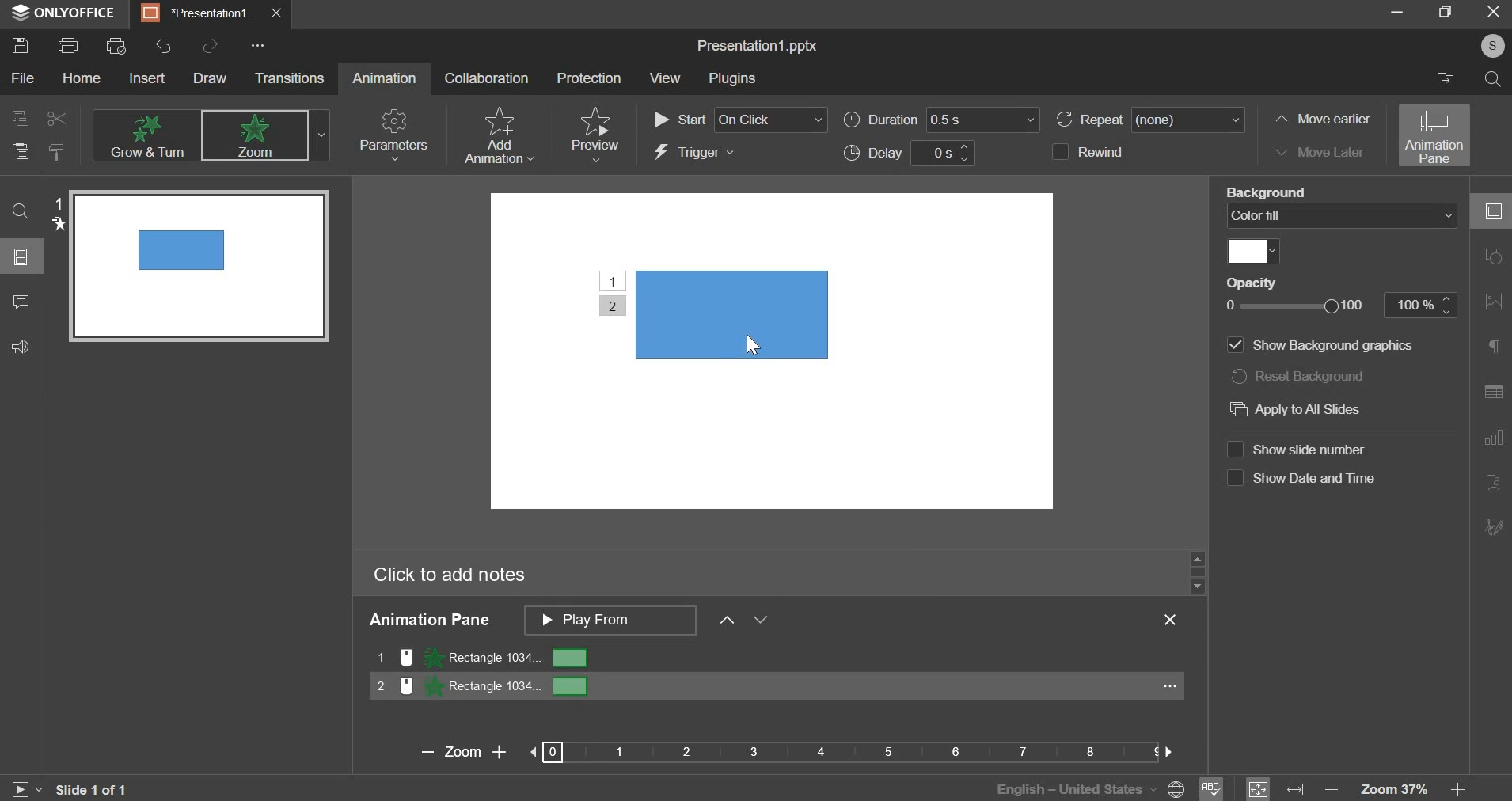 The height and width of the screenshot is (801, 1512). What do you see at coordinates (1458, 786) in the screenshot?
I see `zoom in` at bounding box center [1458, 786].